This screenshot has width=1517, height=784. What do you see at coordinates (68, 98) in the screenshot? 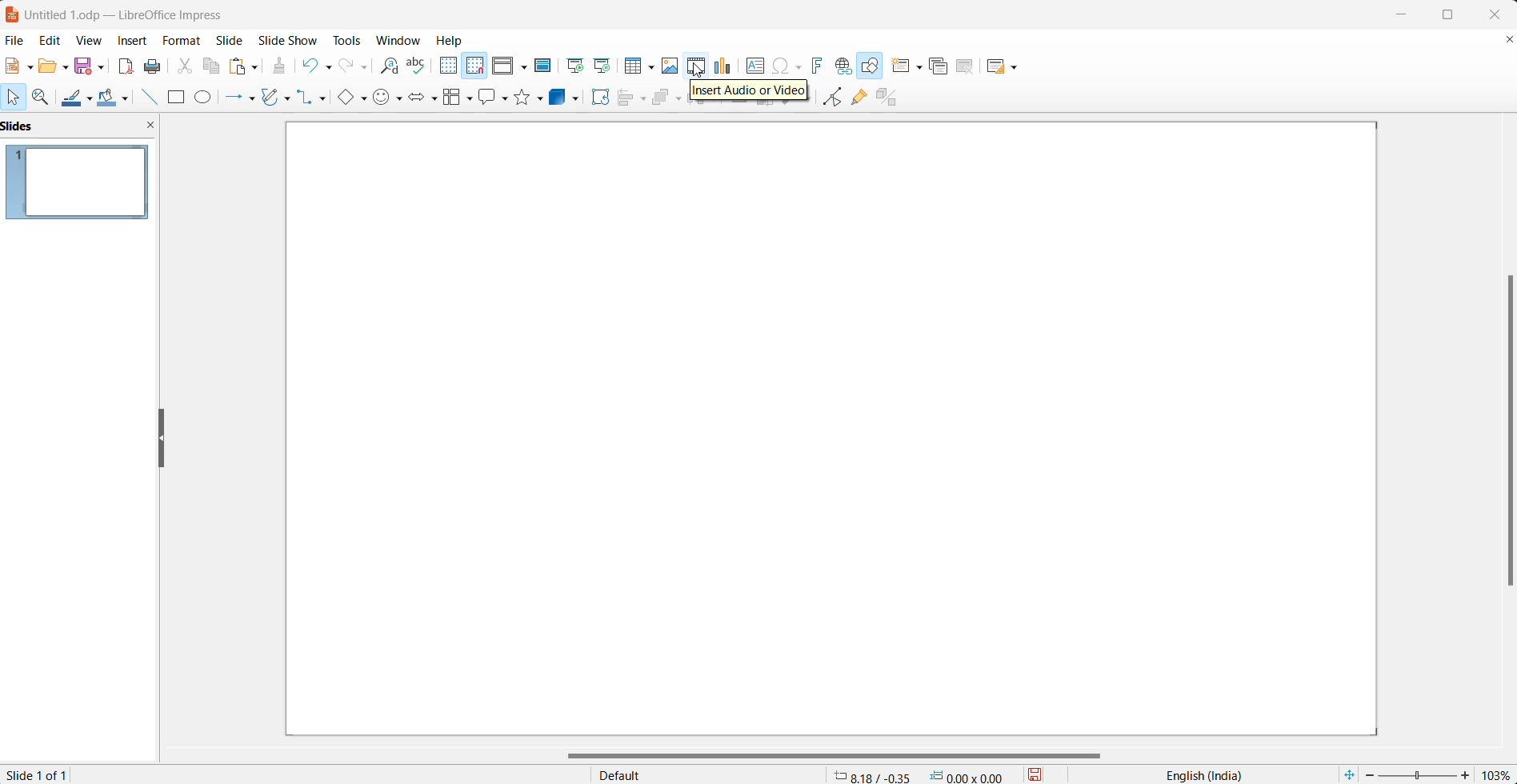
I see `line color` at bounding box center [68, 98].